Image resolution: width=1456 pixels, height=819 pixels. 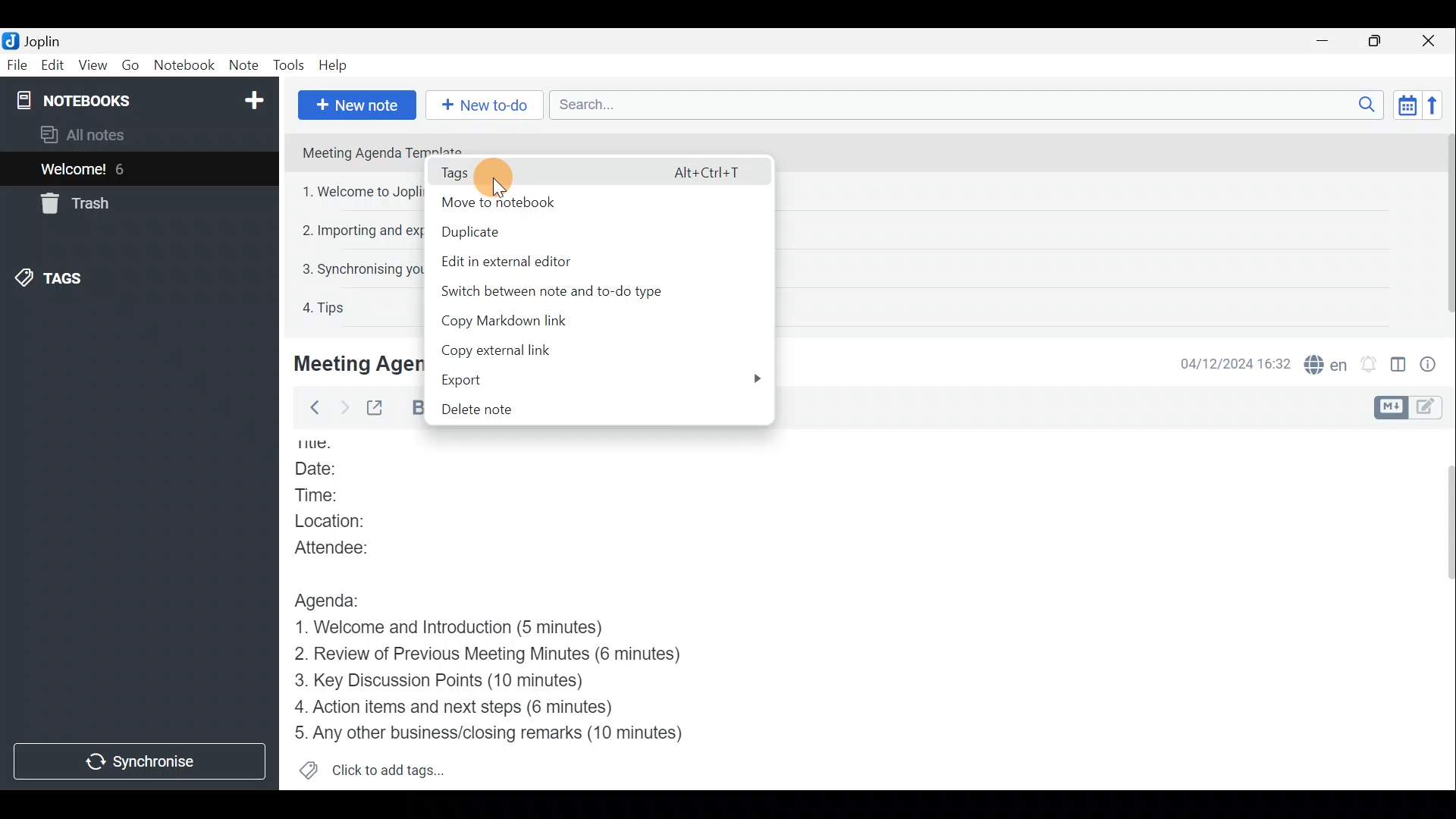 What do you see at coordinates (1429, 42) in the screenshot?
I see `Close` at bounding box center [1429, 42].